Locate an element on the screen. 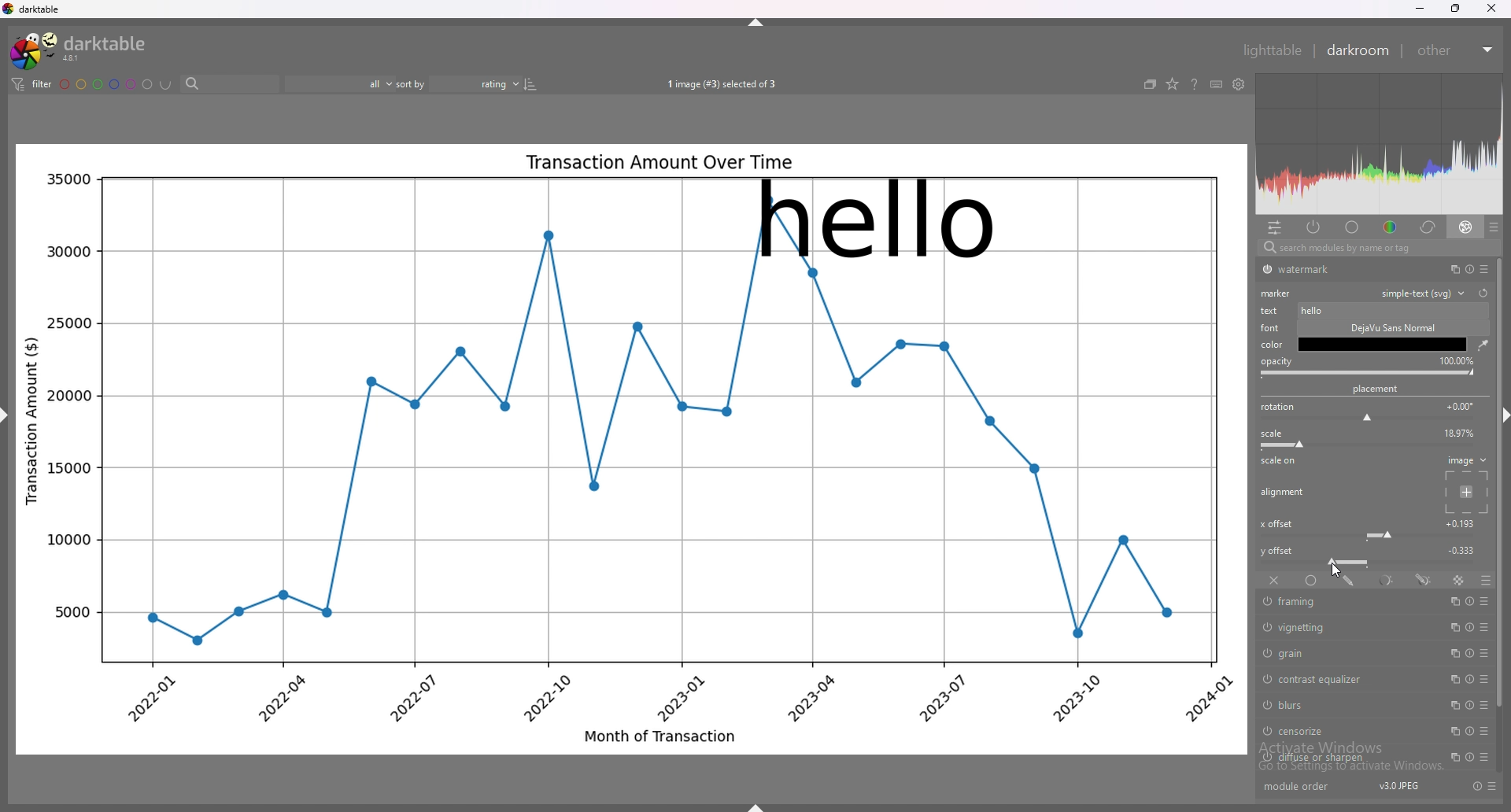 The image size is (1511, 812). contrast equalizer is located at coordinates (1343, 679).